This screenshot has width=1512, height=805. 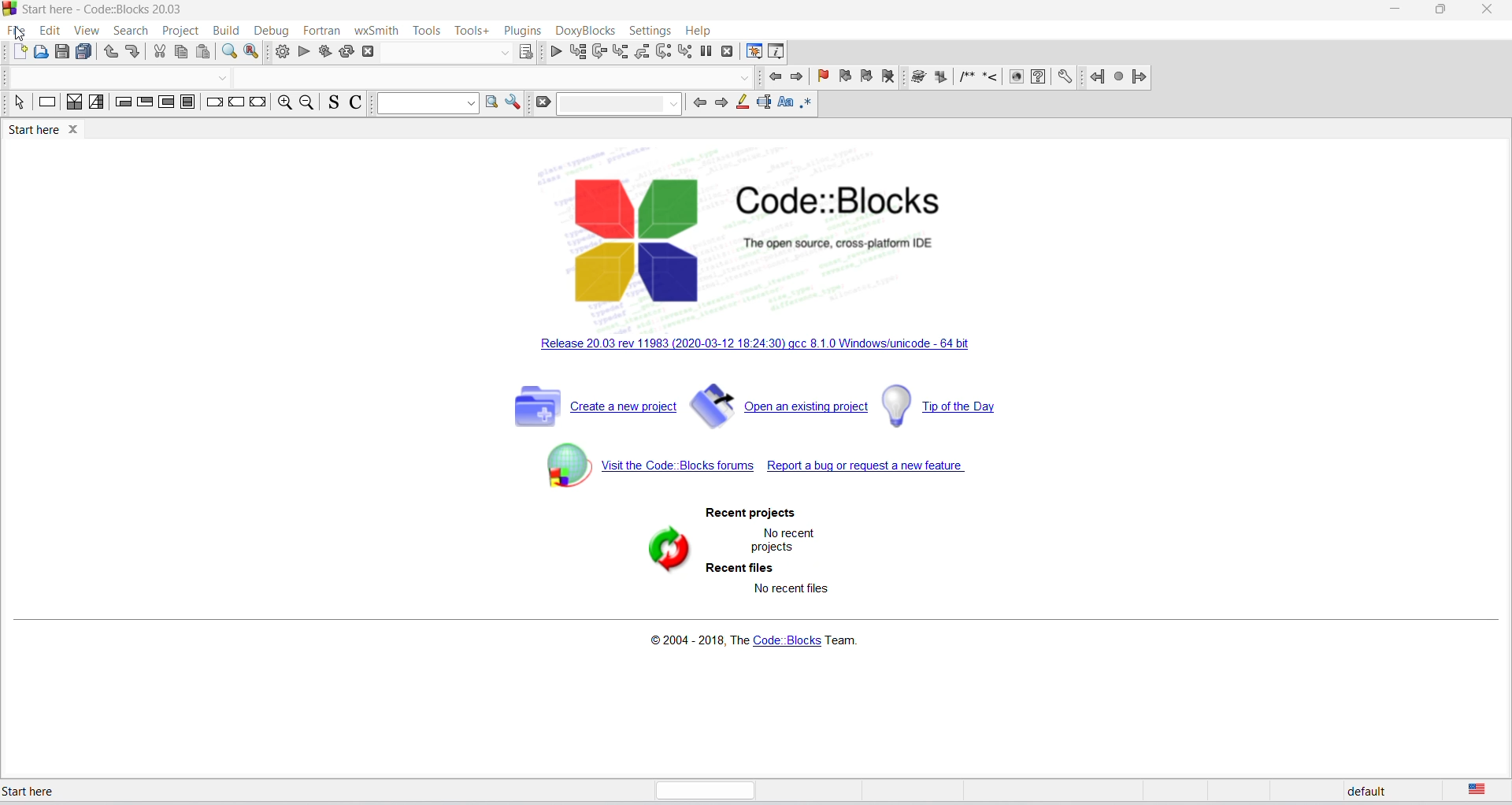 What do you see at coordinates (304, 105) in the screenshot?
I see `zoom out` at bounding box center [304, 105].